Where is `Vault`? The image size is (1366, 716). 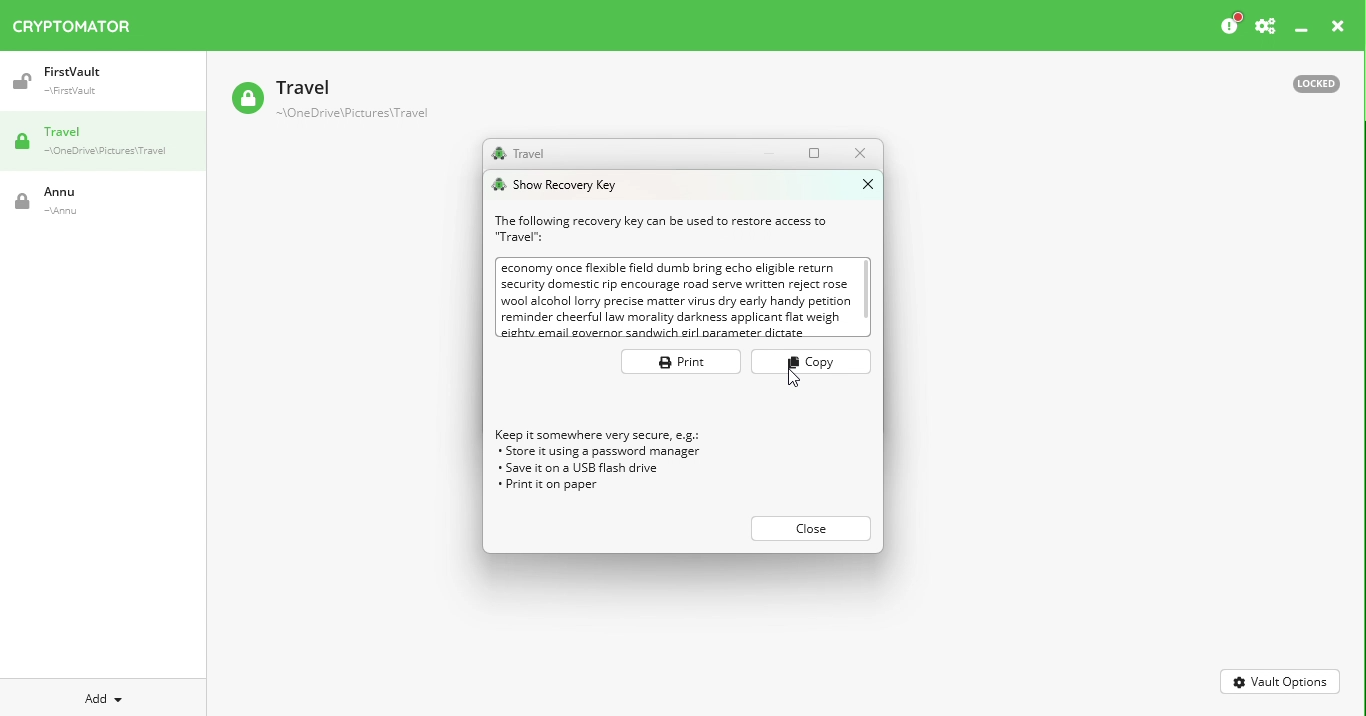 Vault is located at coordinates (329, 101).